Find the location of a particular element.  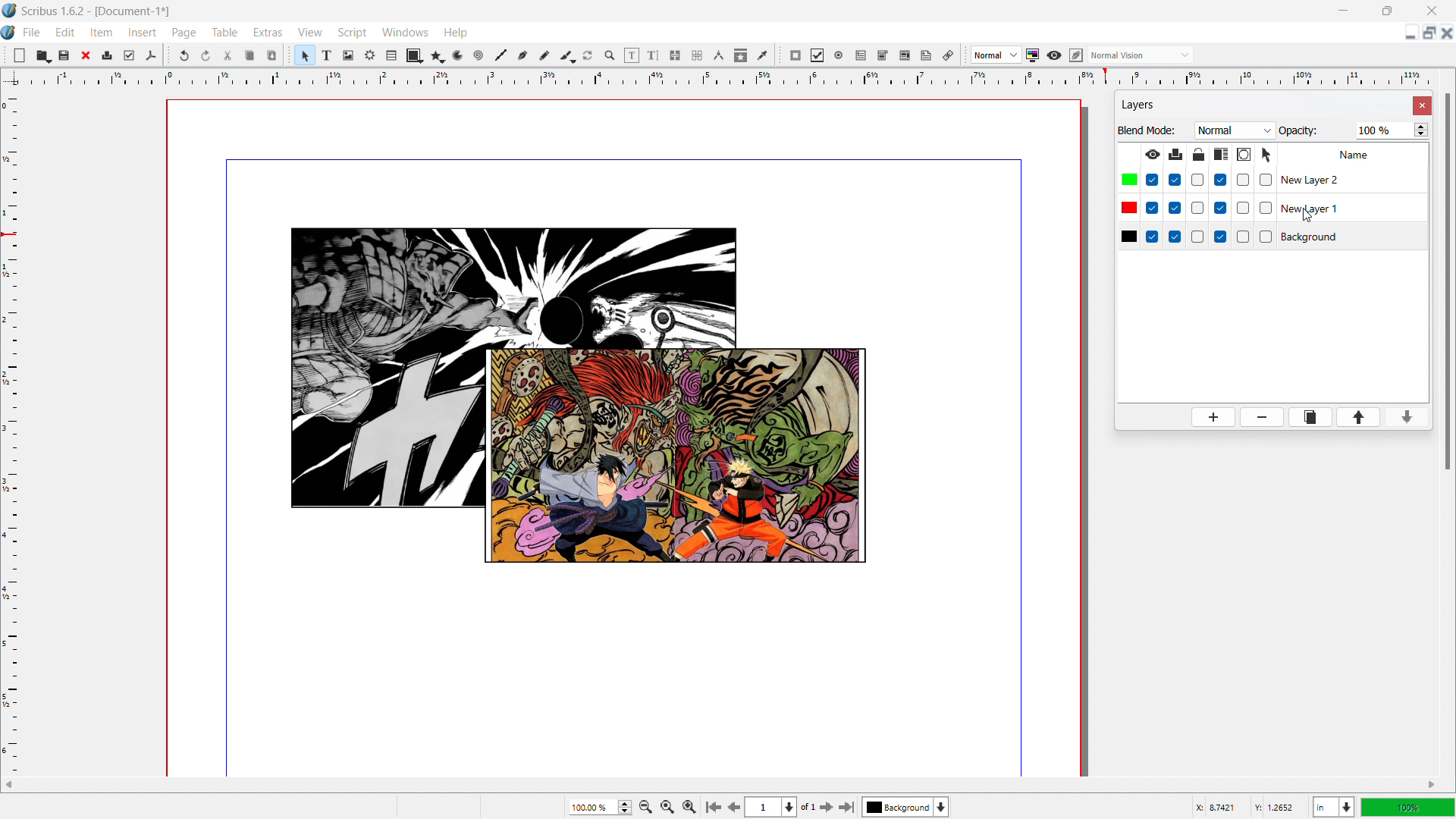

move layer down is located at coordinates (1407, 418).